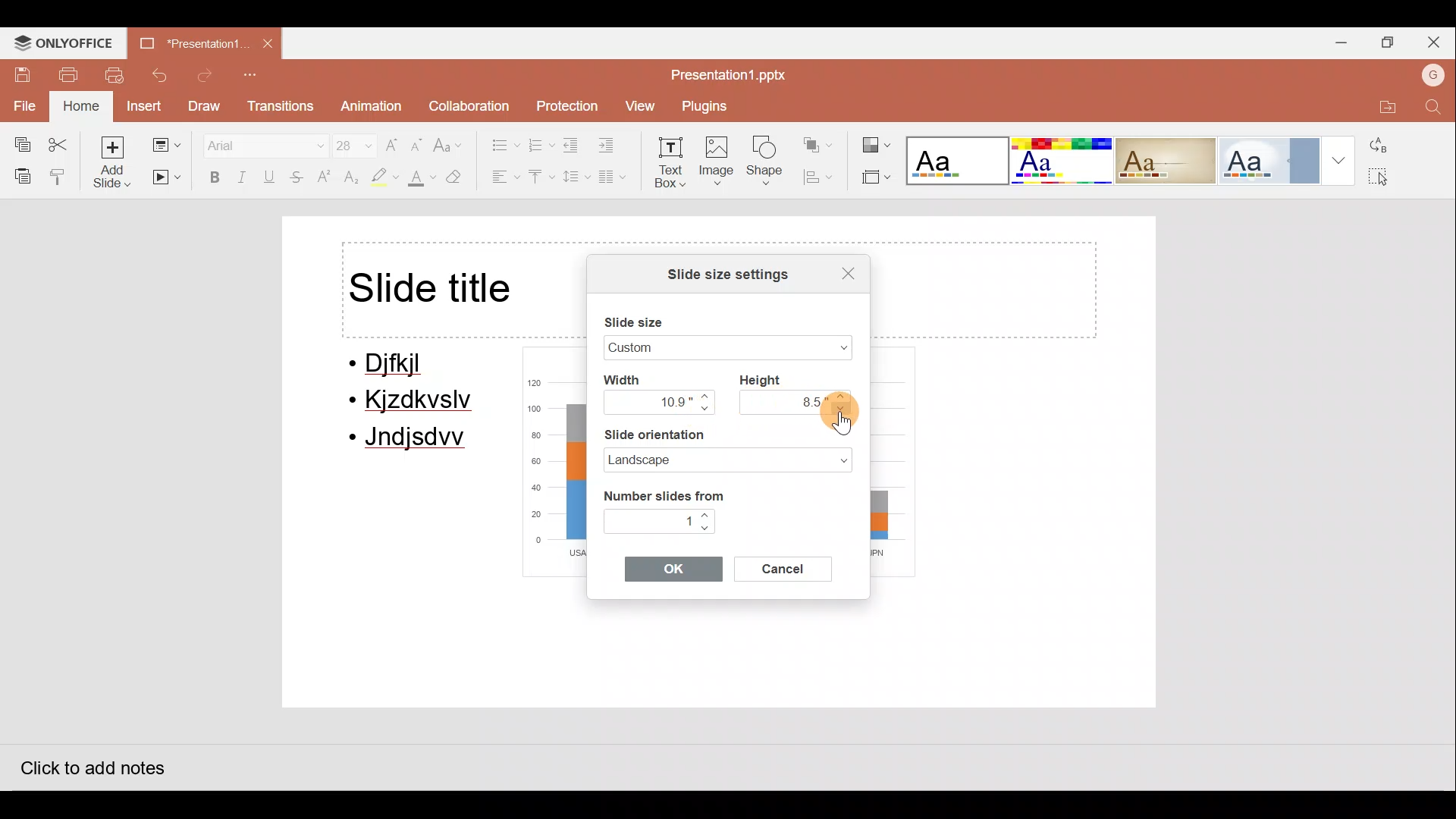  Describe the element at coordinates (709, 106) in the screenshot. I see `Plugins` at that location.